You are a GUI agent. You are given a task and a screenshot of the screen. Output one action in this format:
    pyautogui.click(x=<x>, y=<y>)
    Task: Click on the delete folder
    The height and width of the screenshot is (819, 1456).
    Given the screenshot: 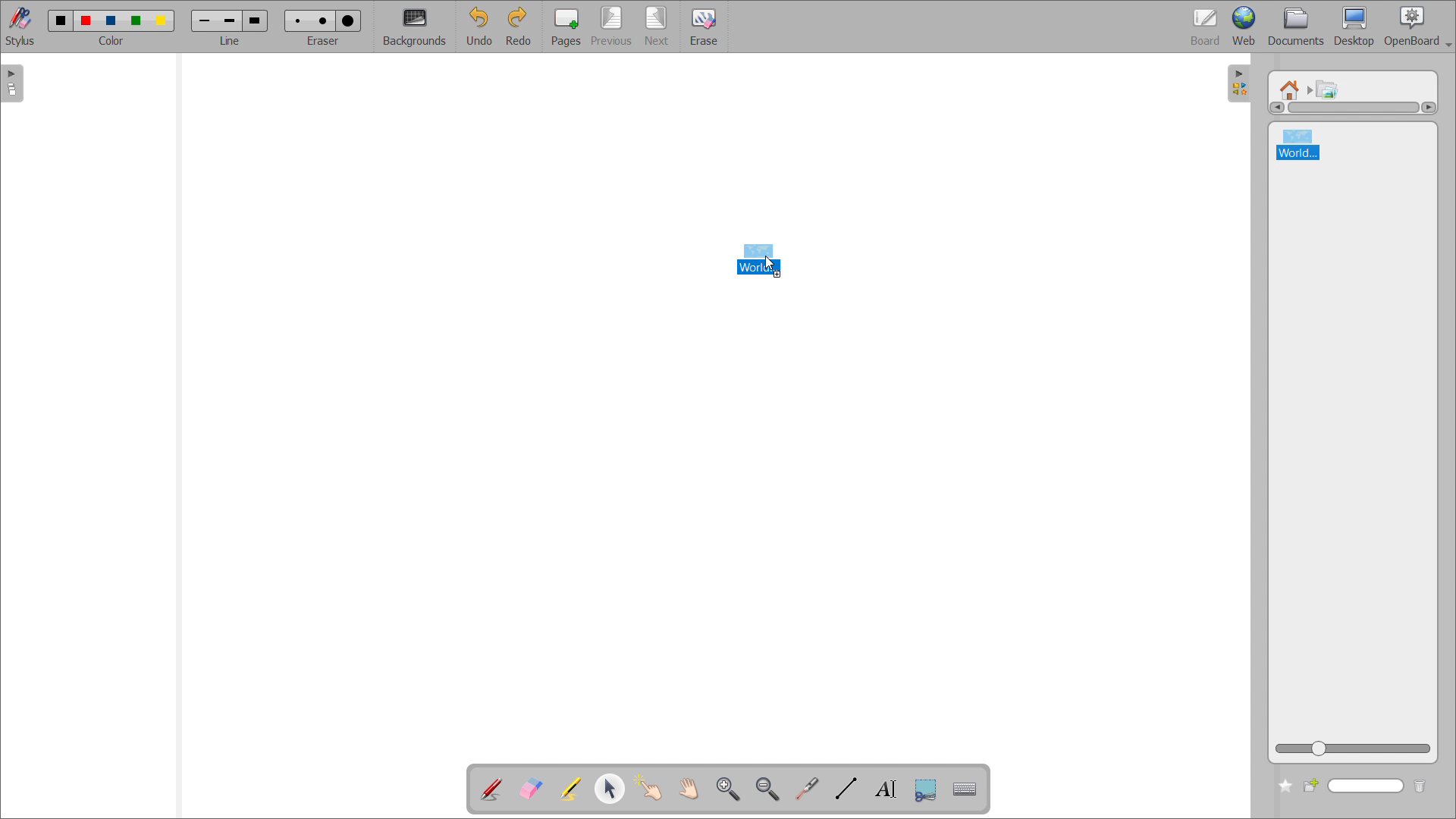 What is the action you would take?
    pyautogui.click(x=1422, y=787)
    